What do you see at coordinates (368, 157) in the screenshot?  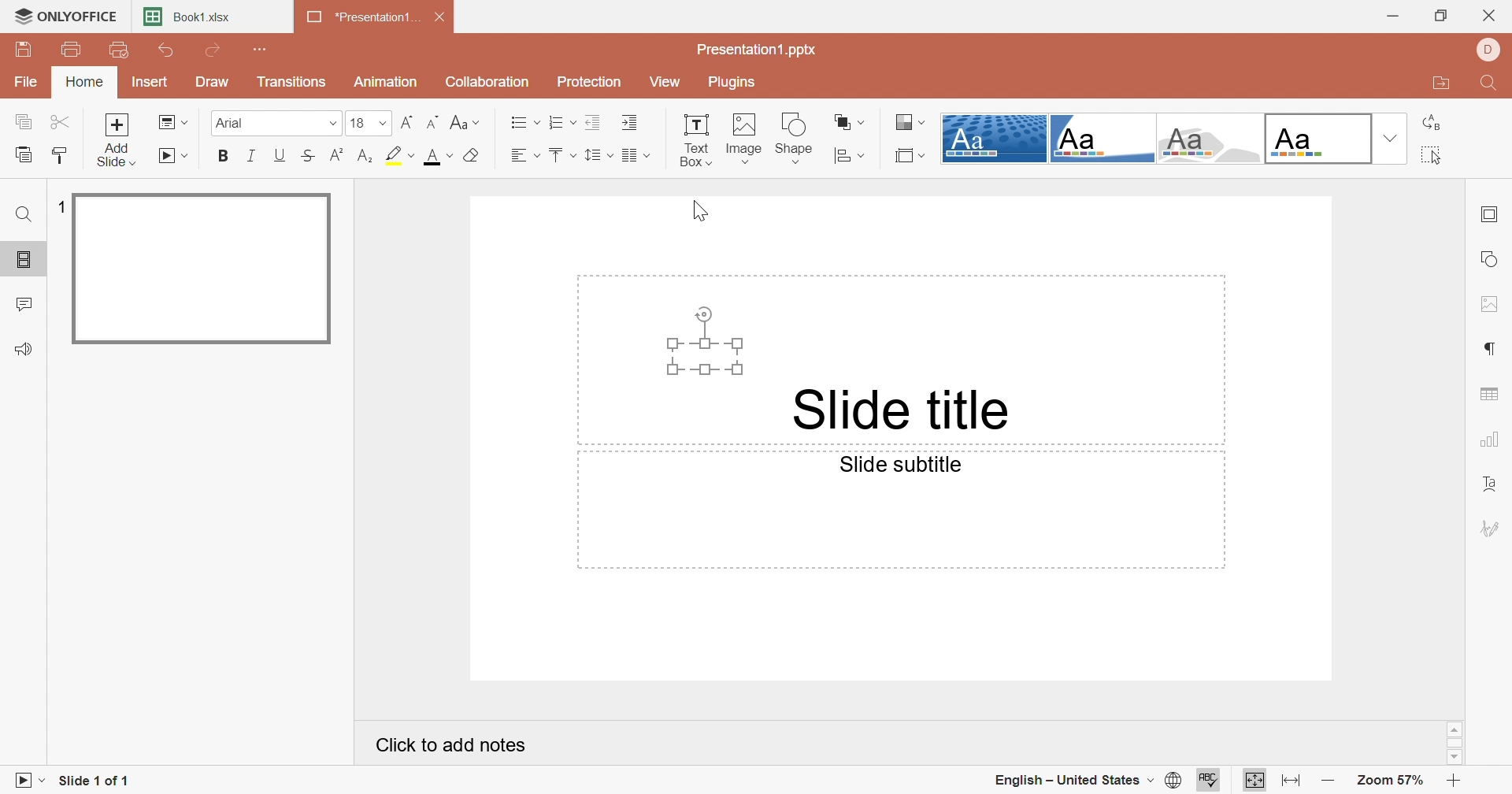 I see `Subscript` at bounding box center [368, 157].